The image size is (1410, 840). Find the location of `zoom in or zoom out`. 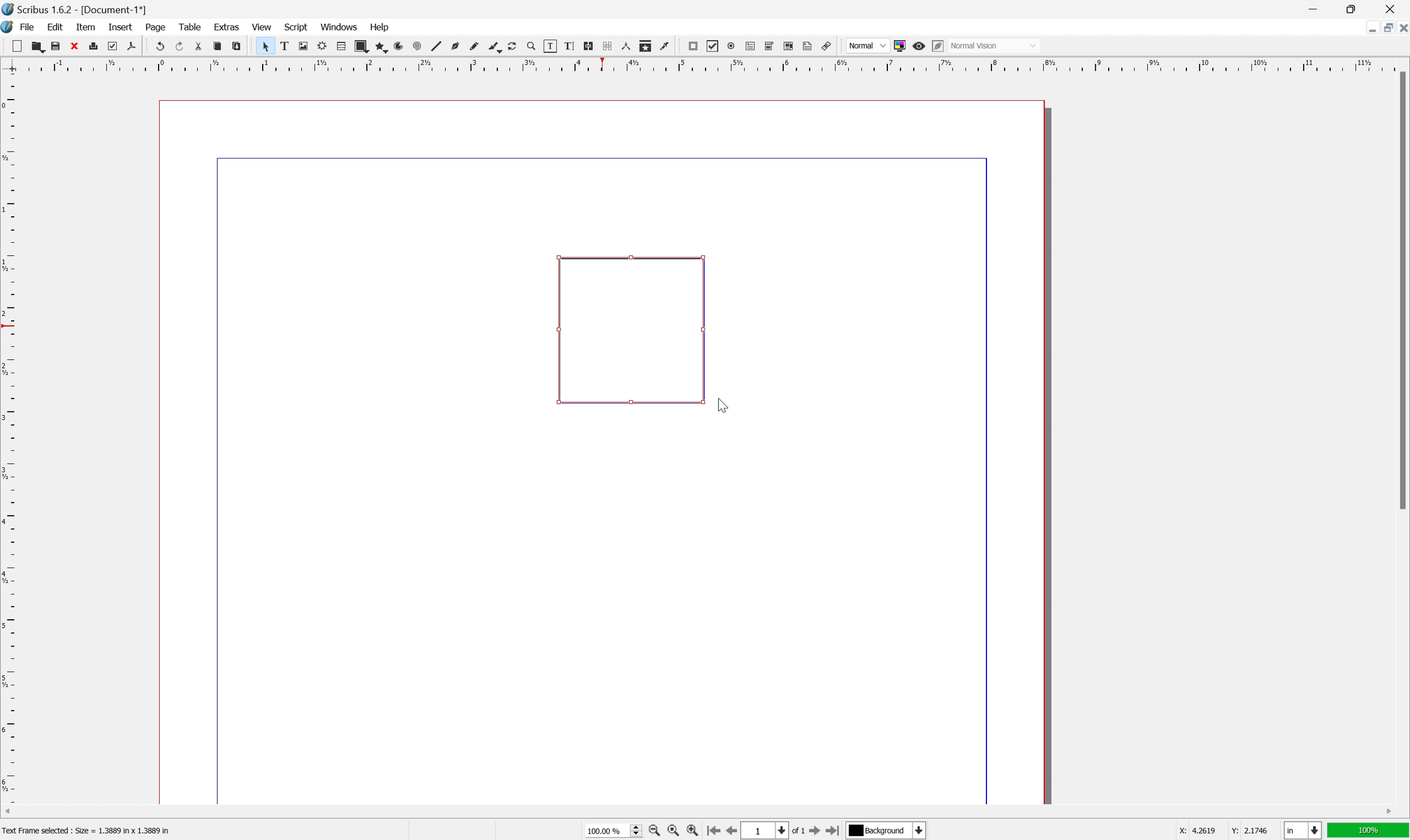

zoom in or zoom out is located at coordinates (532, 46).